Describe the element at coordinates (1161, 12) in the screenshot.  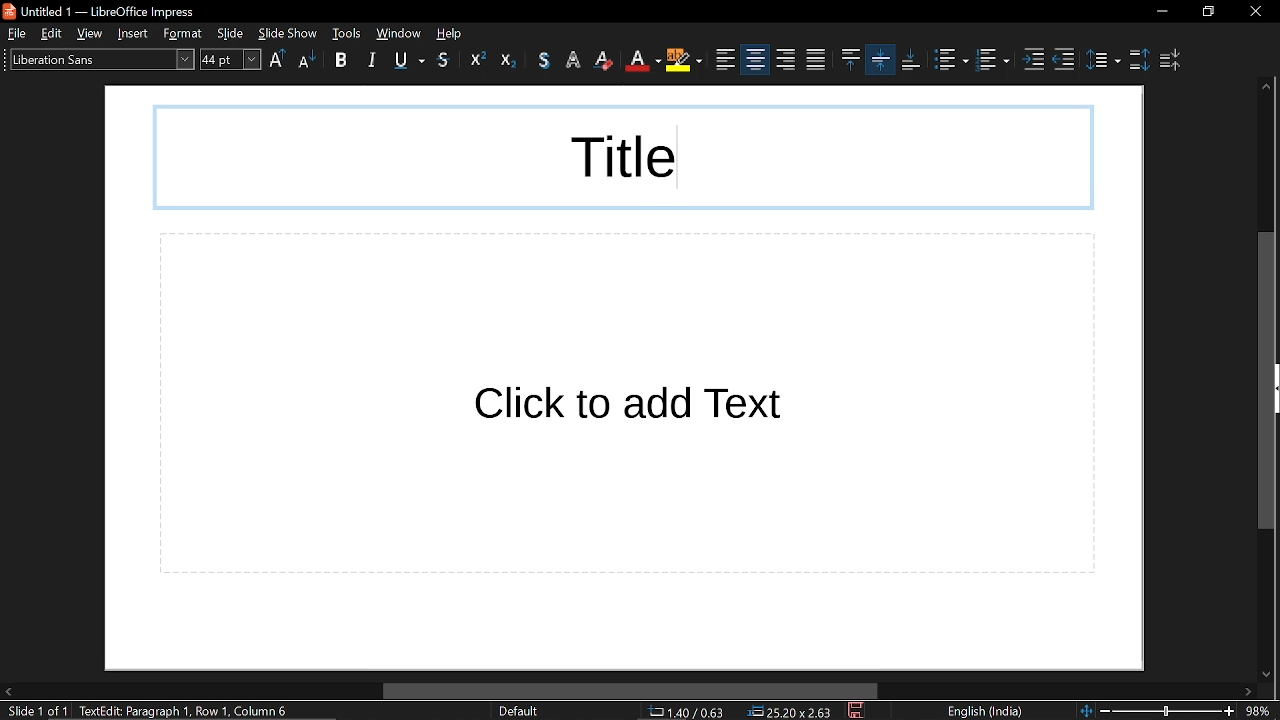
I see `minimize` at that location.